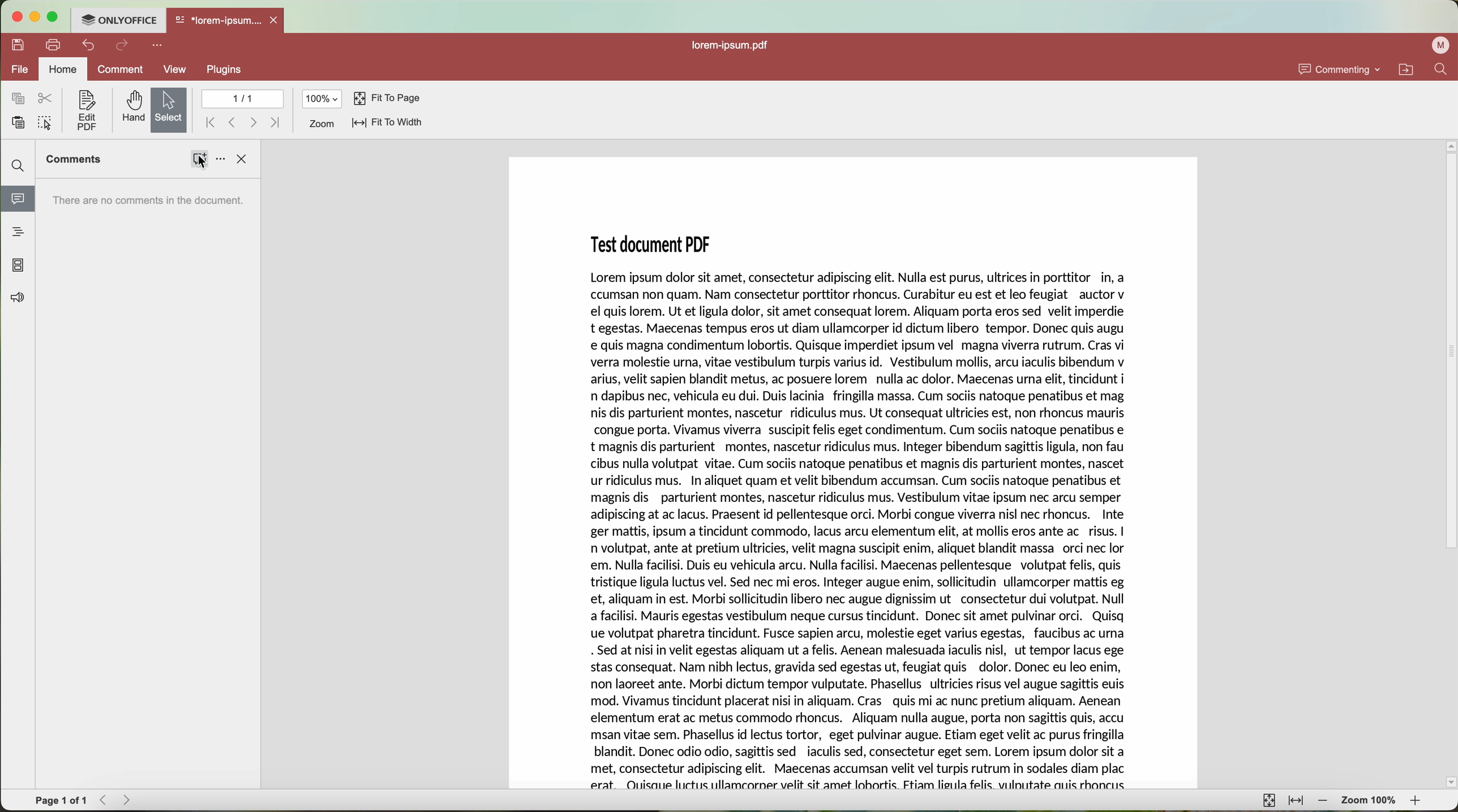 The height and width of the screenshot is (812, 1458). I want to click on find, so click(20, 166).